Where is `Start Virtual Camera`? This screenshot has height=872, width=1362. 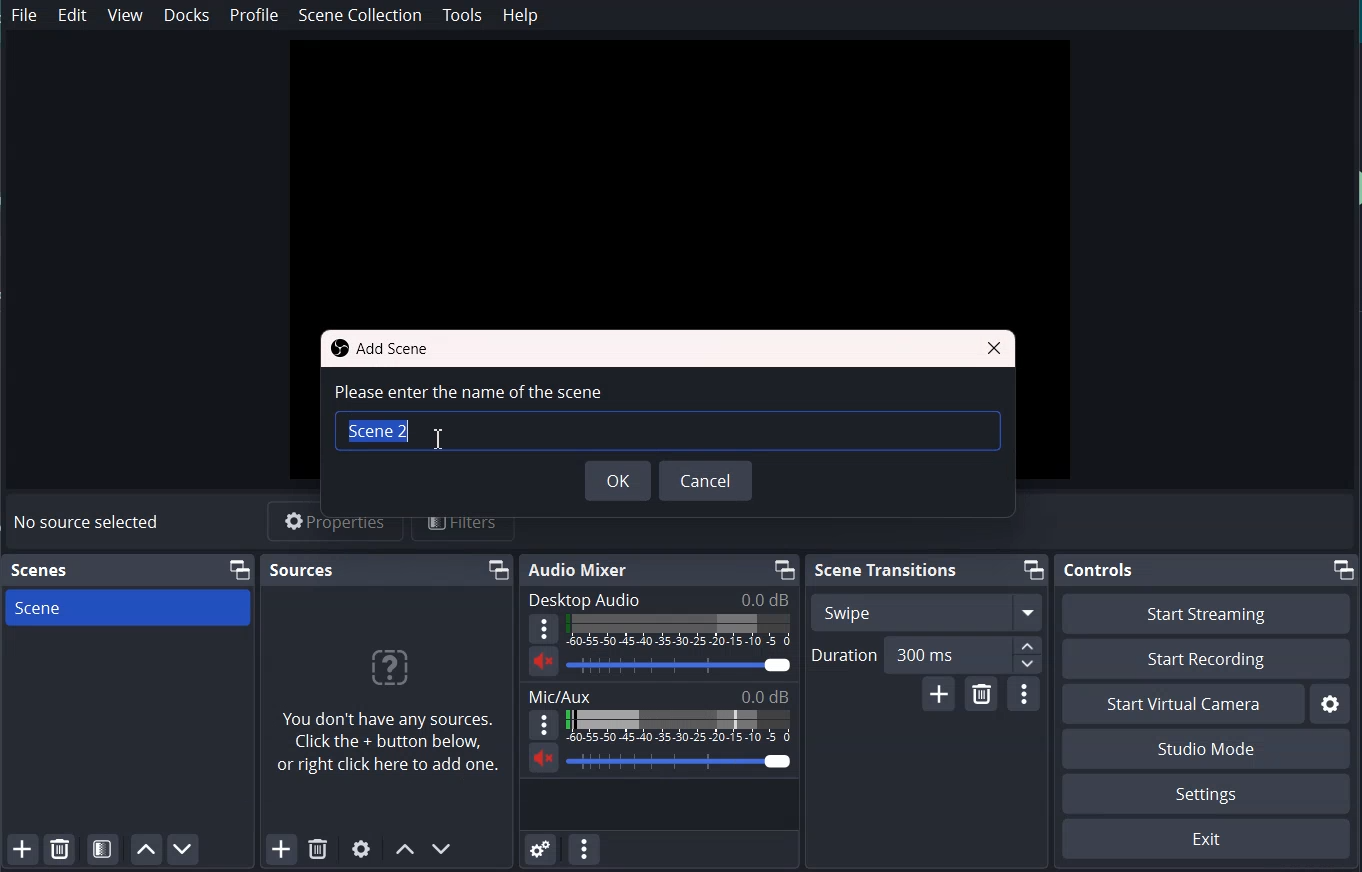 Start Virtual Camera is located at coordinates (1183, 704).